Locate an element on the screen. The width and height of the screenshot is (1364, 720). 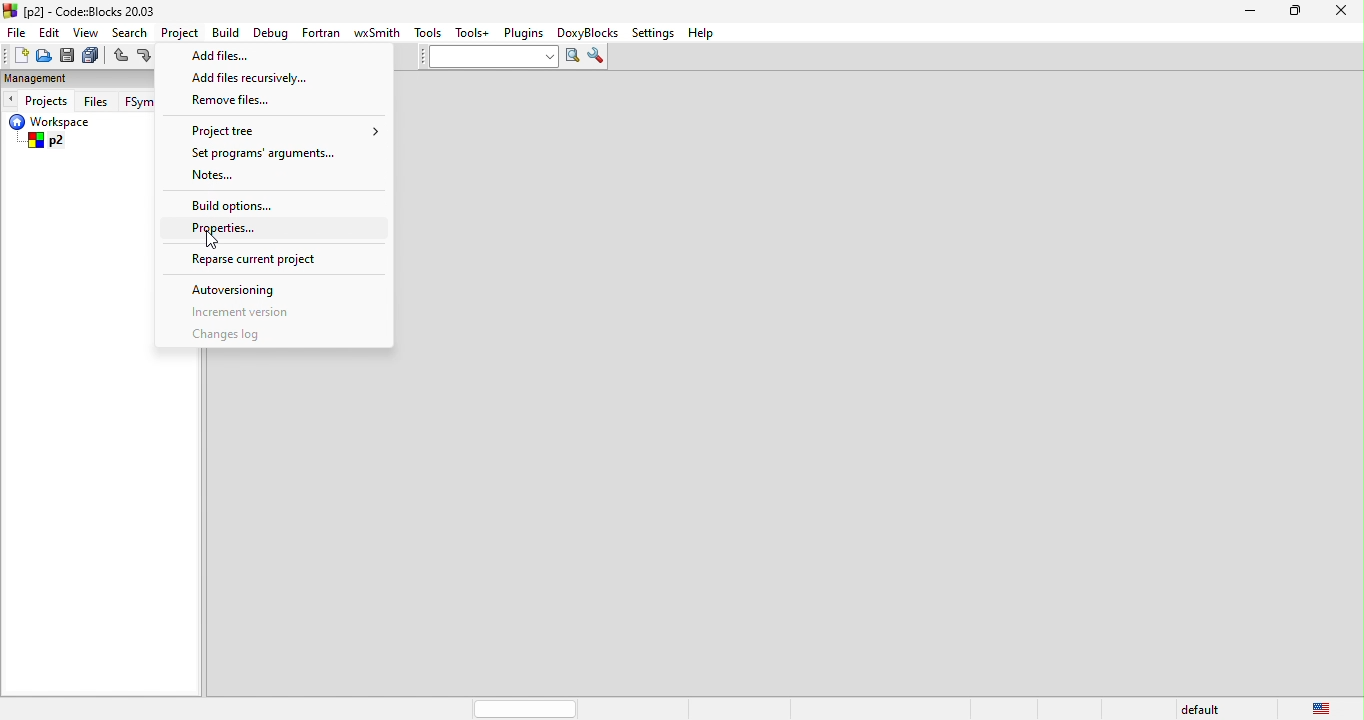
workspace p2 is located at coordinates (80, 133).